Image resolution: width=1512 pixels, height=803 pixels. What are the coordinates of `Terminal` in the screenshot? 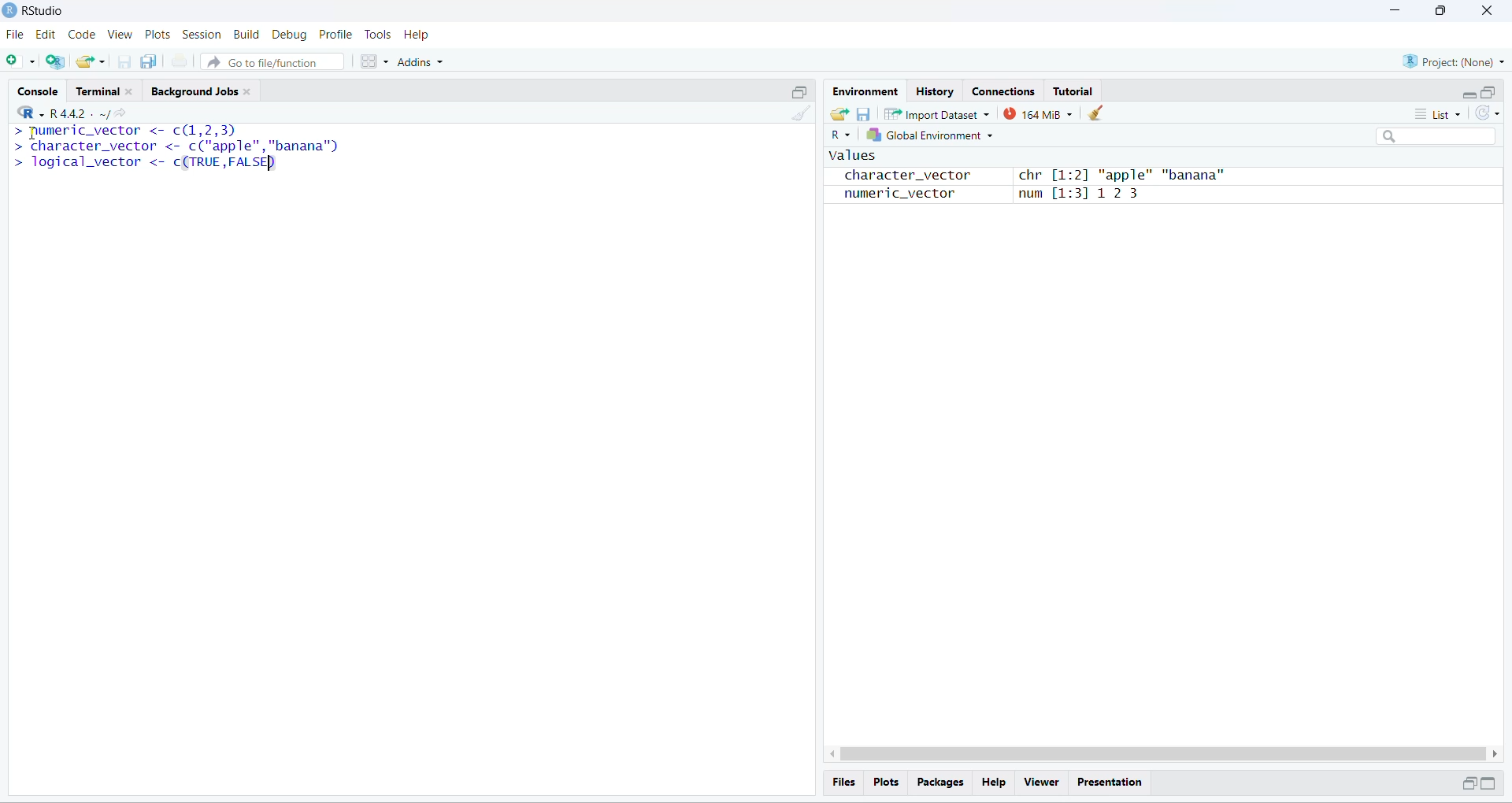 It's located at (107, 88).